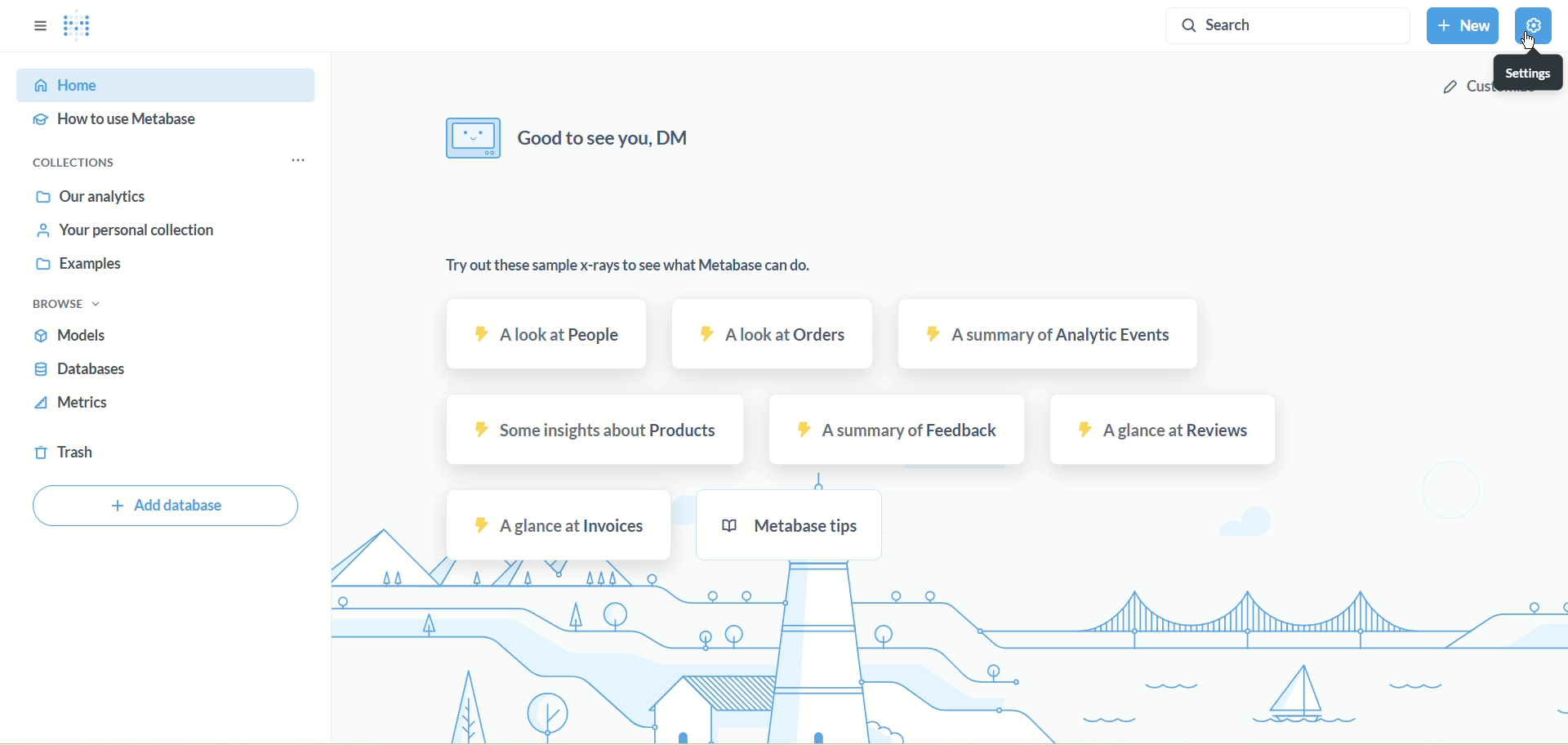  What do you see at coordinates (893, 431) in the screenshot?
I see `a summary of feedback` at bounding box center [893, 431].